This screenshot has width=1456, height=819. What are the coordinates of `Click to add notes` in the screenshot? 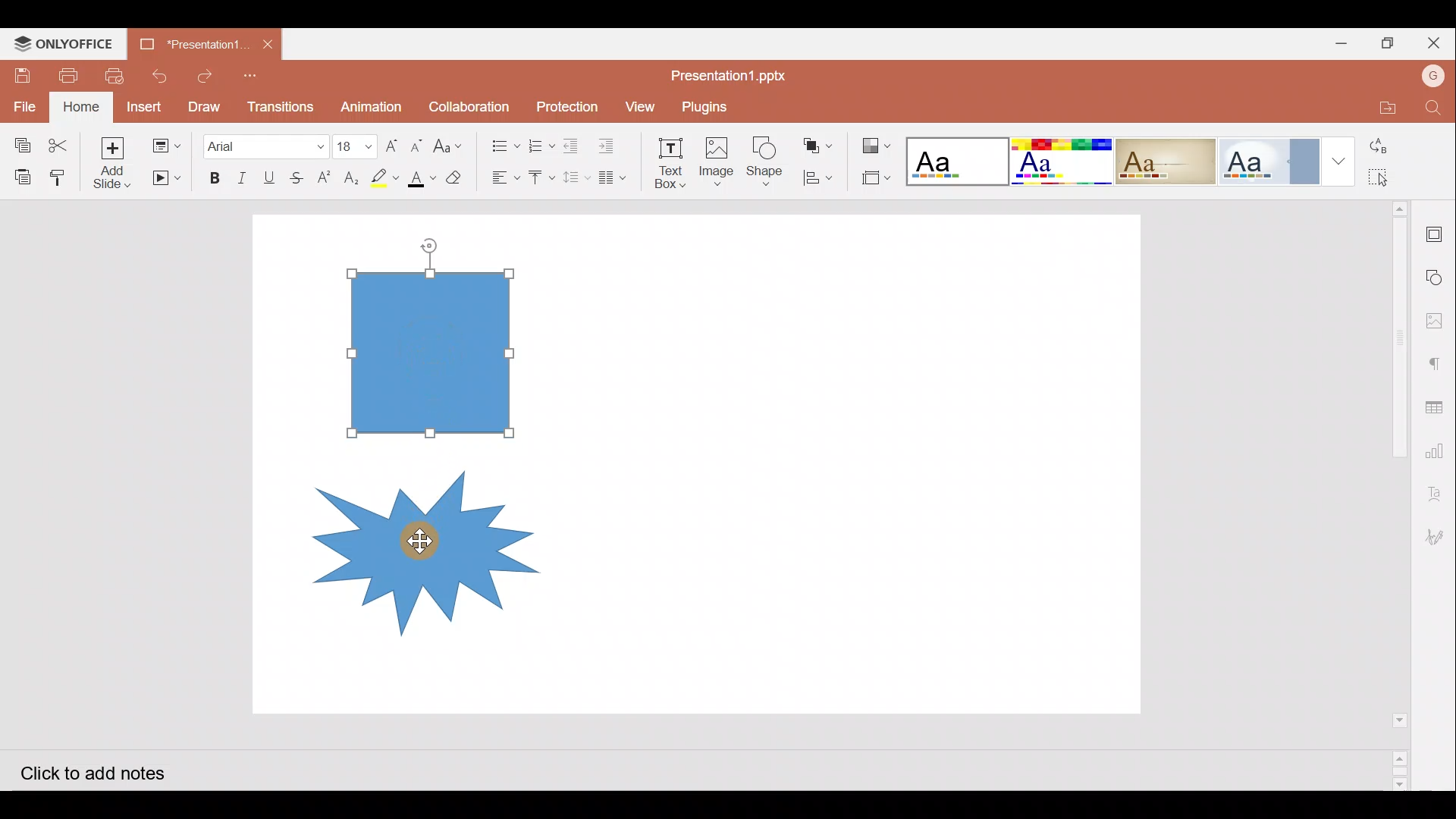 It's located at (105, 772).